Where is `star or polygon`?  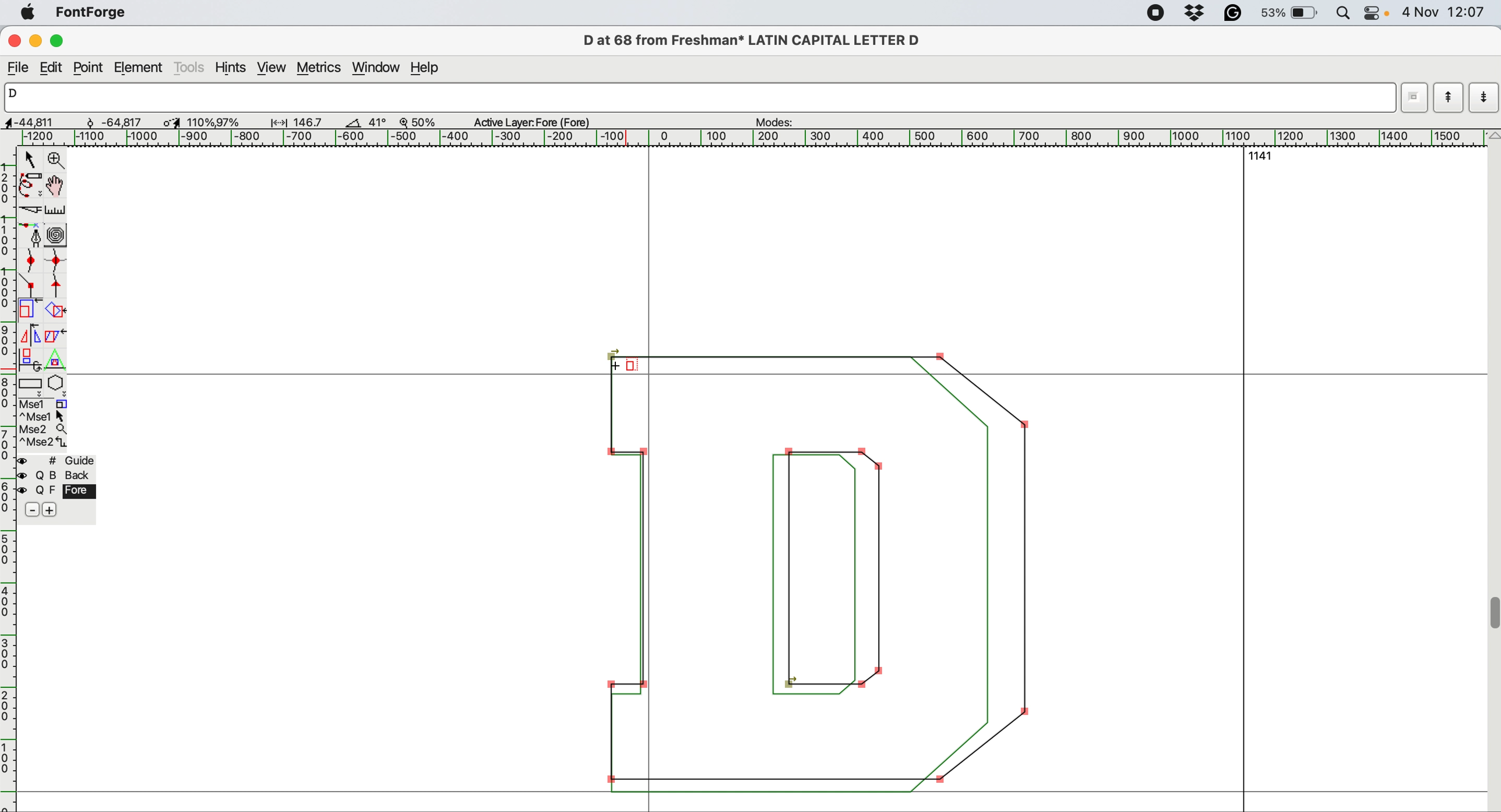
star or polygon is located at coordinates (57, 386).